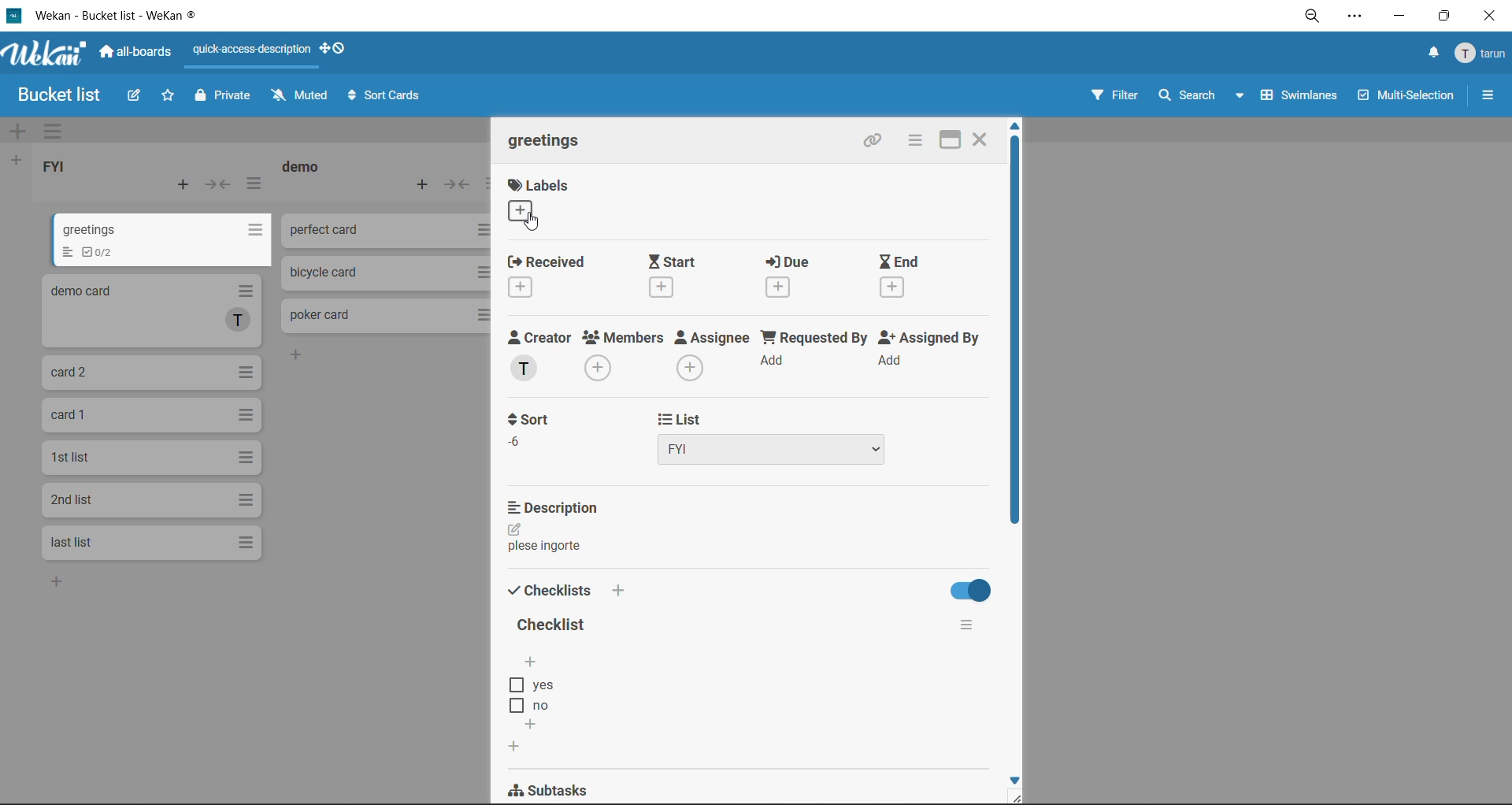 This screenshot has width=1512, height=805. Describe the element at coordinates (220, 184) in the screenshot. I see `collapse` at that location.